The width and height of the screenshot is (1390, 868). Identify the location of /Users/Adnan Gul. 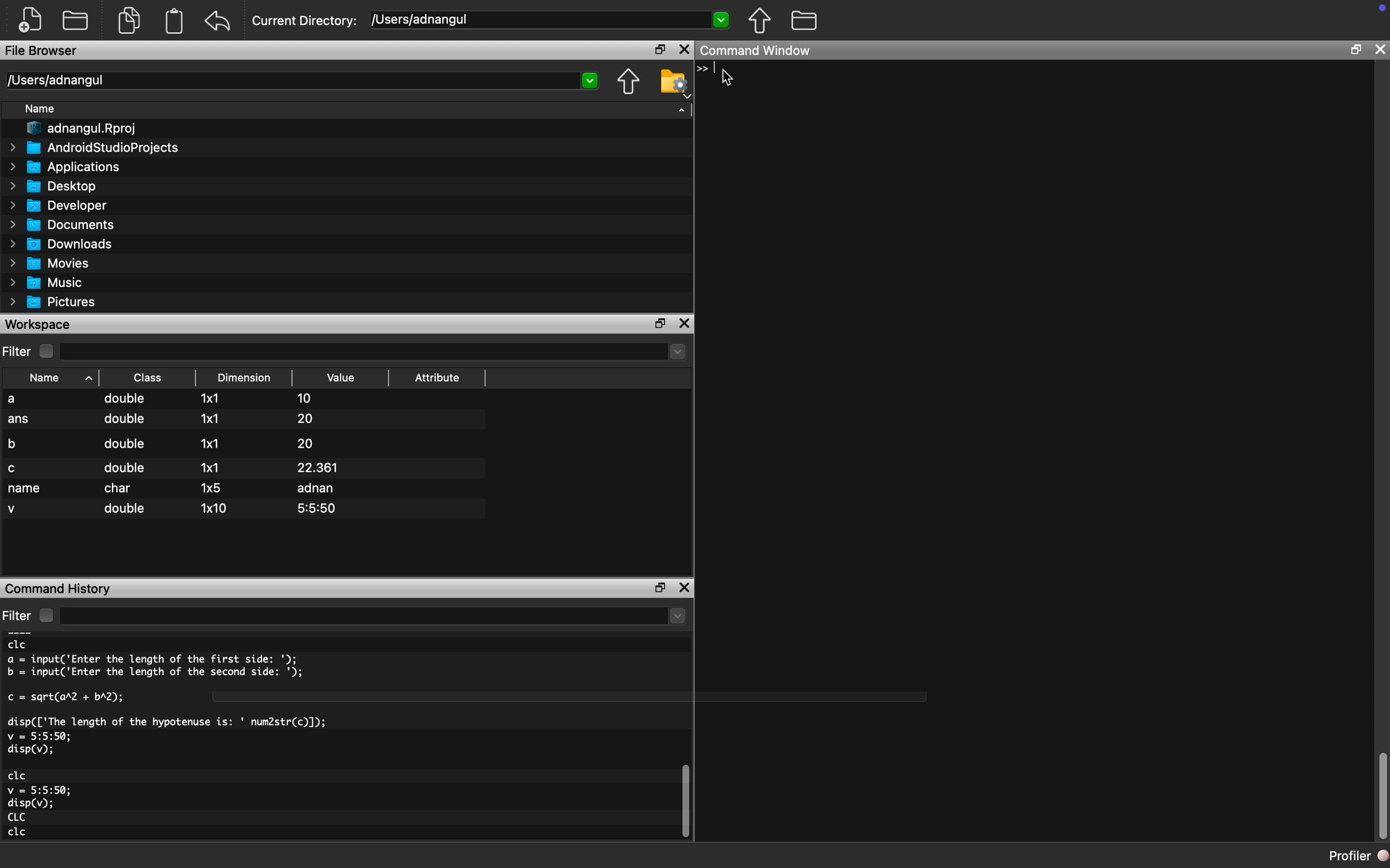
(289, 82).